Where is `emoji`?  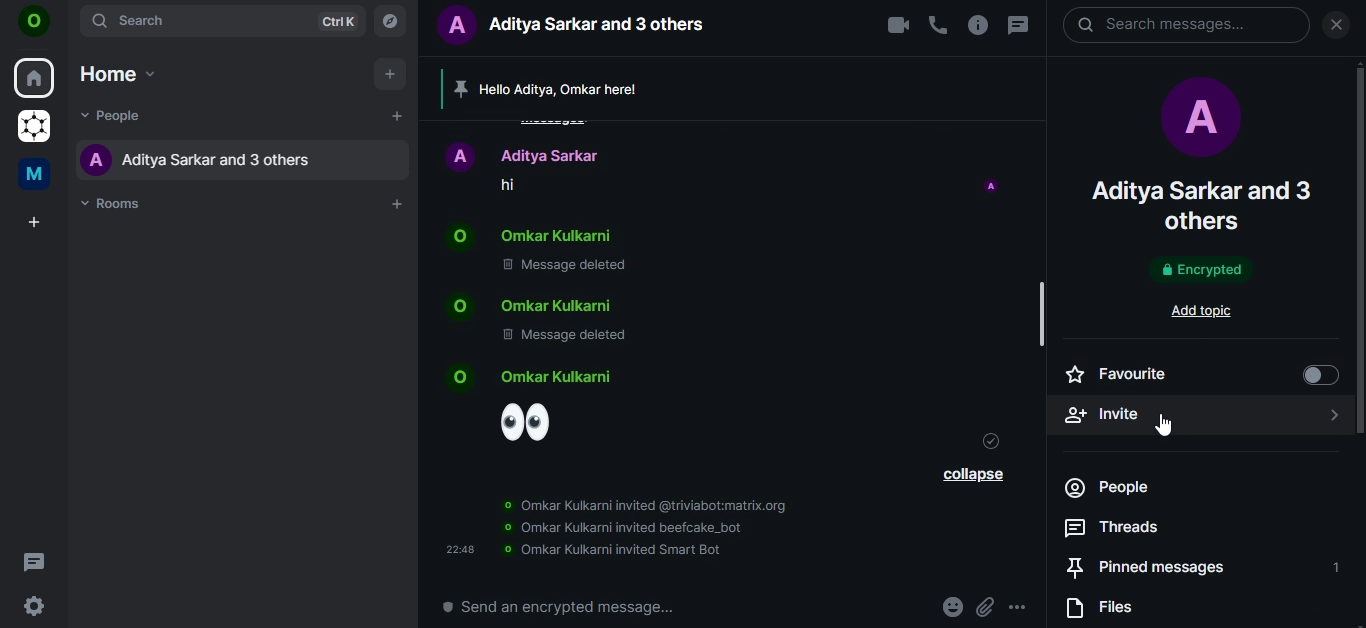
emoji is located at coordinates (540, 406).